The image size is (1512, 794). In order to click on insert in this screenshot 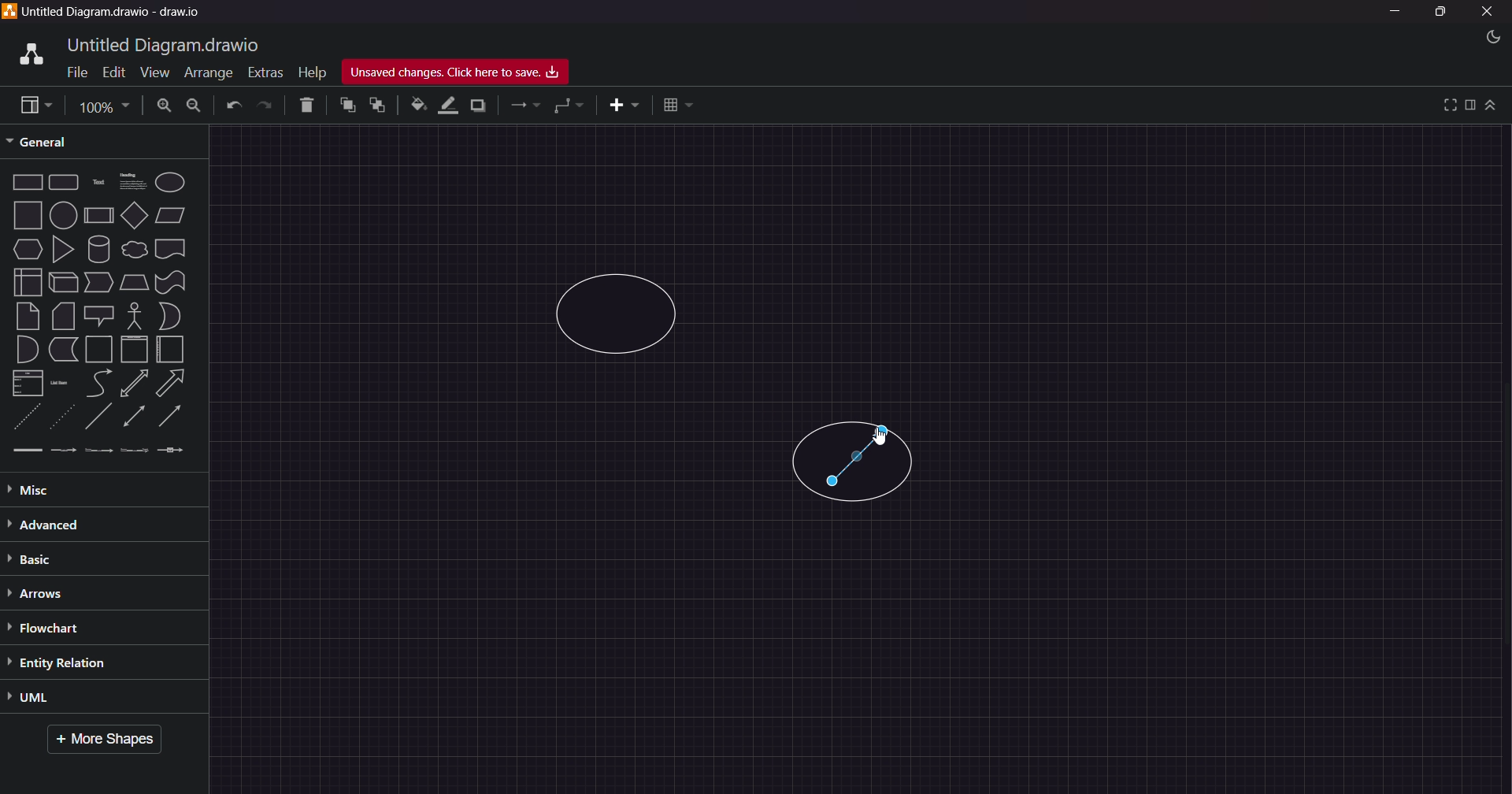, I will do `click(618, 106)`.